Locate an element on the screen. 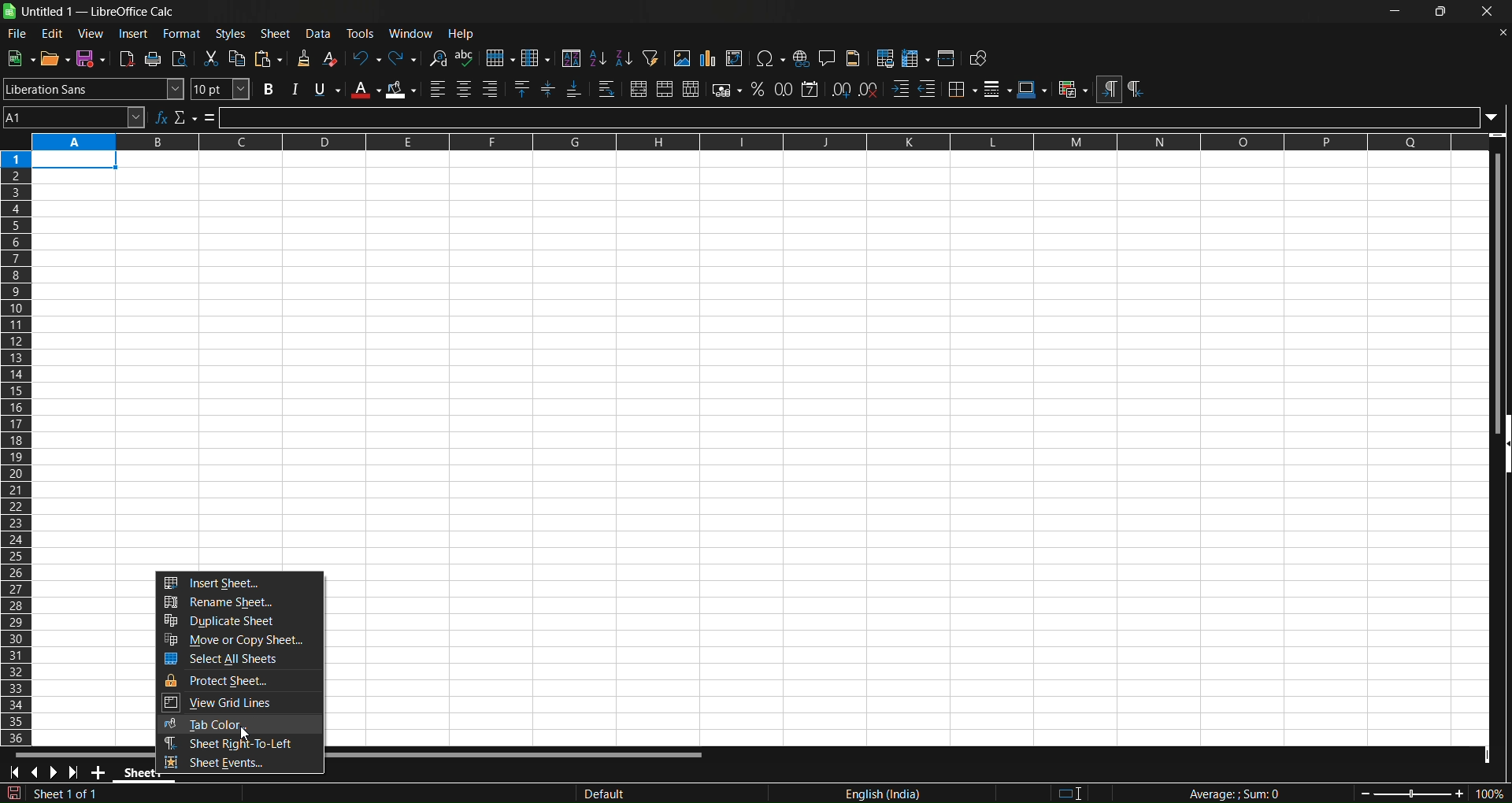 This screenshot has width=1512, height=803. show draw functions is located at coordinates (980, 60).